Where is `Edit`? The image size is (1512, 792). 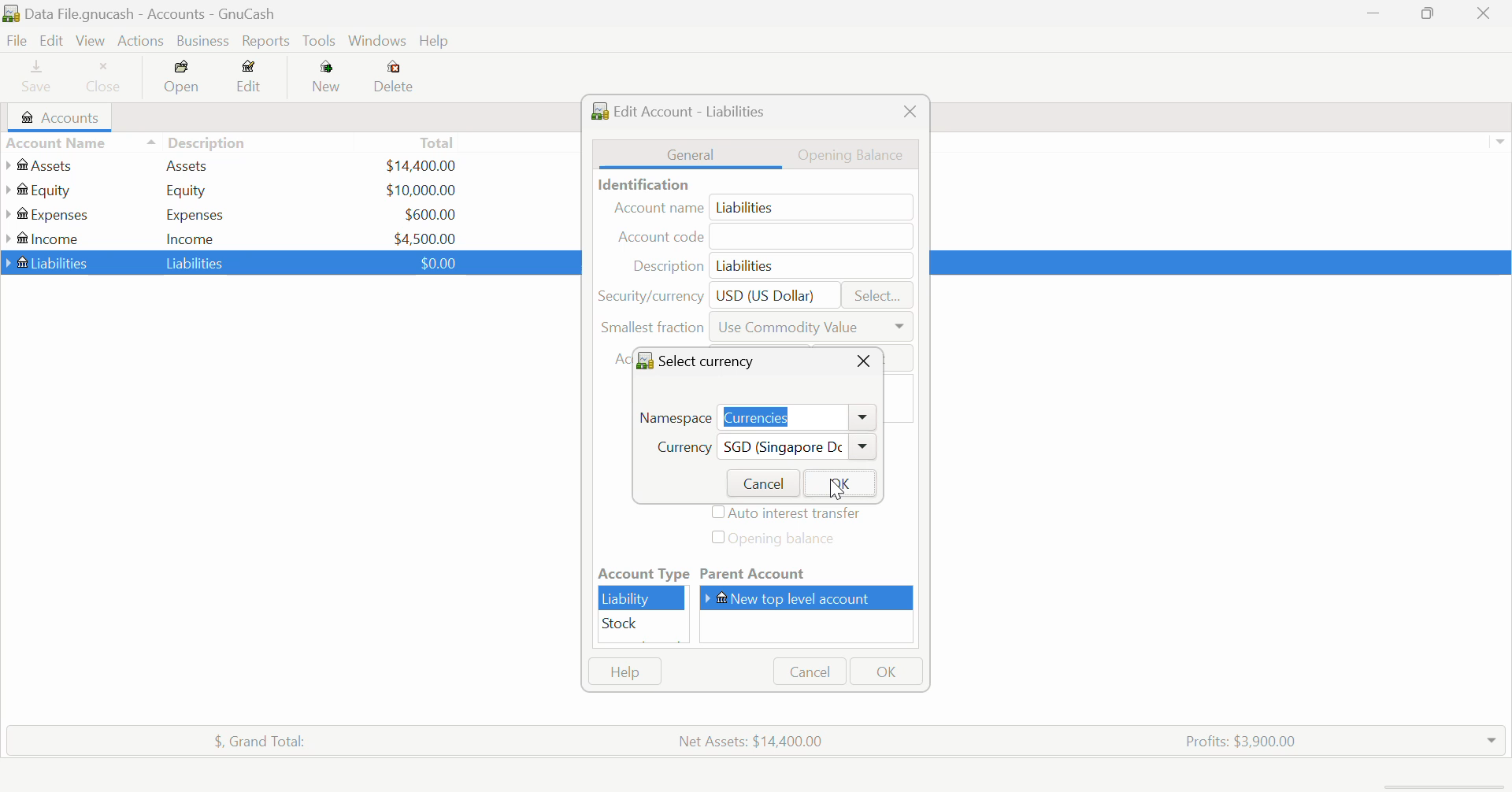
Edit is located at coordinates (250, 80).